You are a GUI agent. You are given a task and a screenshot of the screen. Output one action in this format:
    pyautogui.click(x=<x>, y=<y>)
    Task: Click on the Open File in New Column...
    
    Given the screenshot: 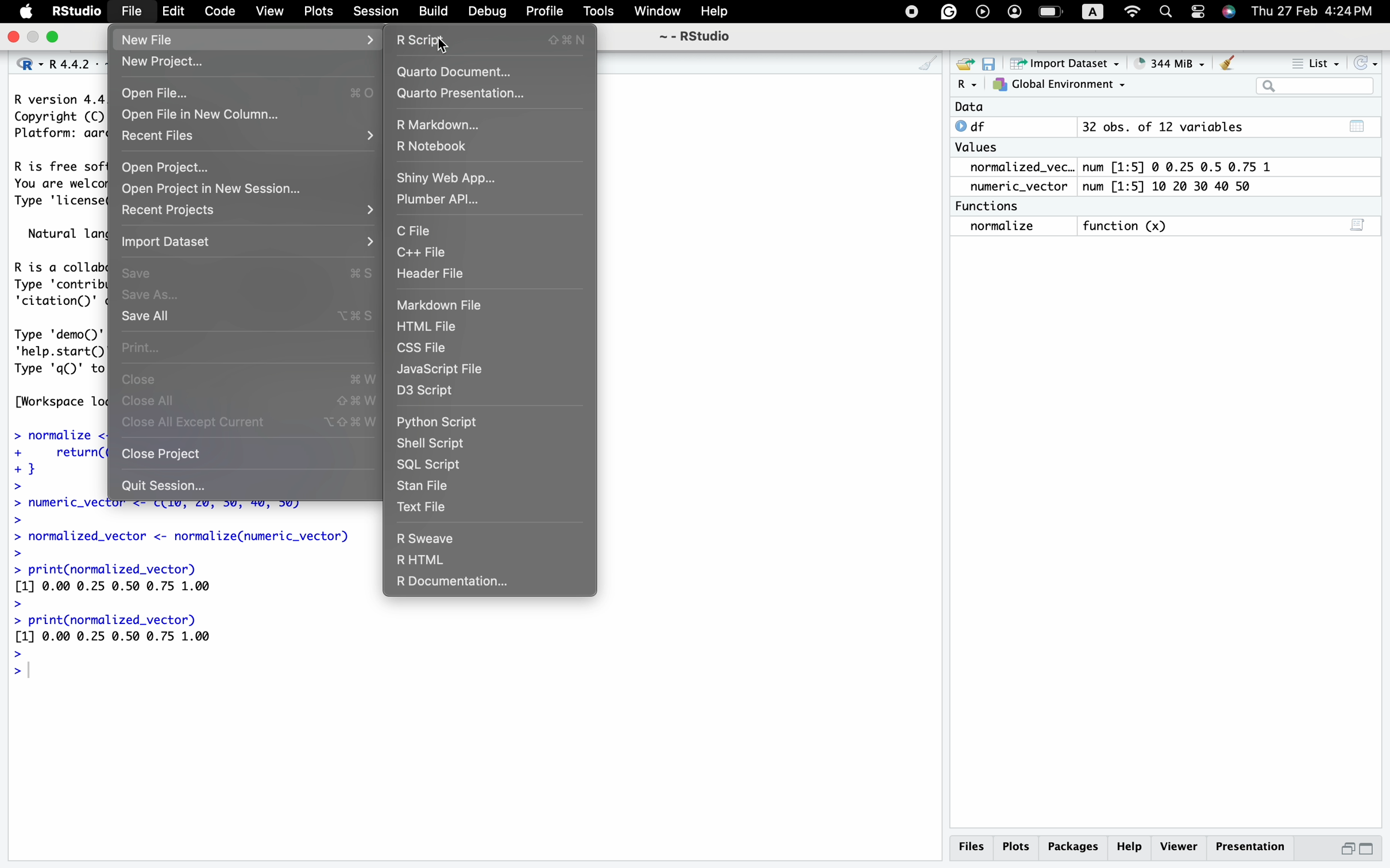 What is the action you would take?
    pyautogui.click(x=199, y=114)
    